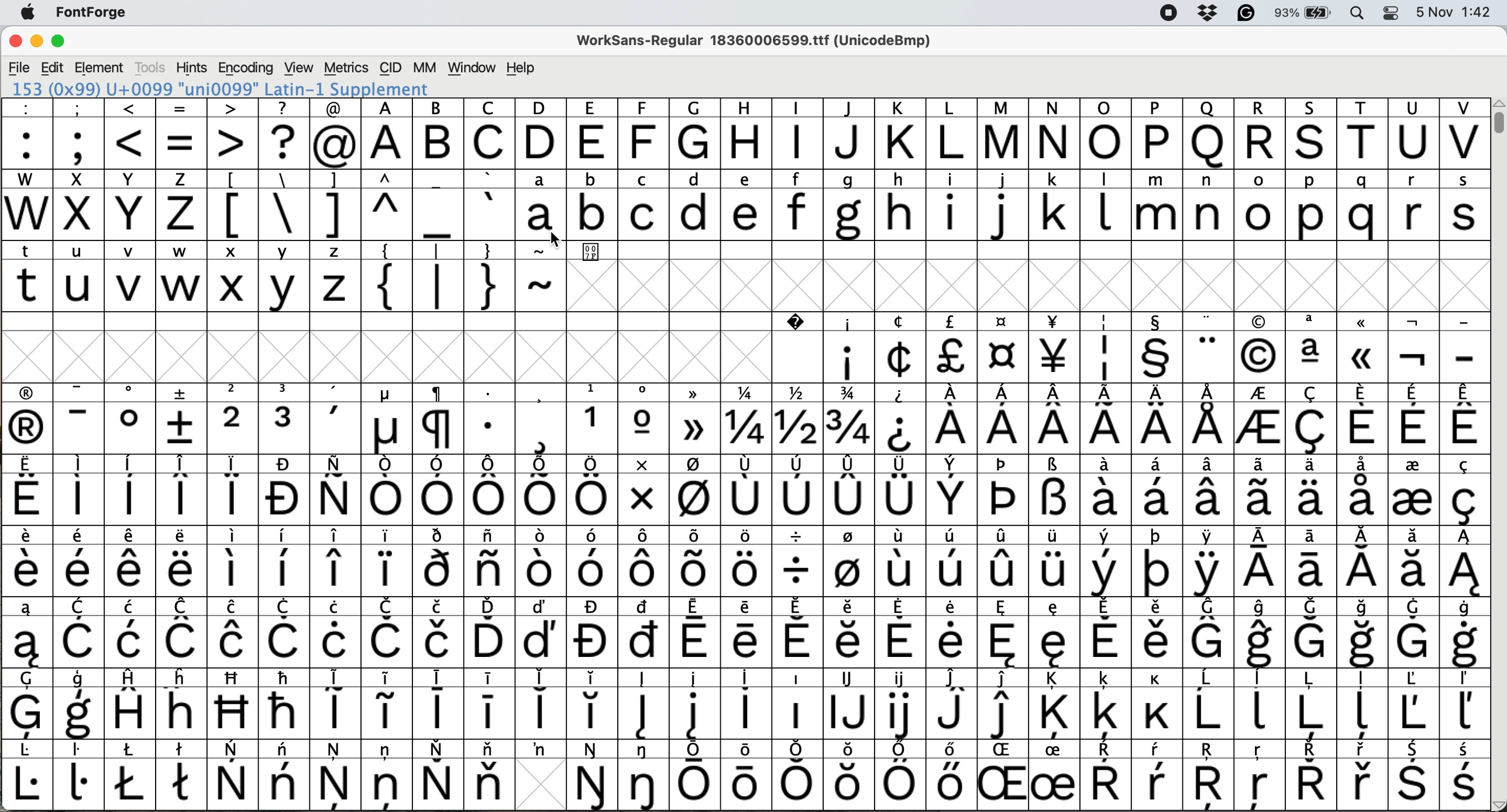 The height and width of the screenshot is (812, 1507). What do you see at coordinates (232, 276) in the screenshot?
I see `x` at bounding box center [232, 276].